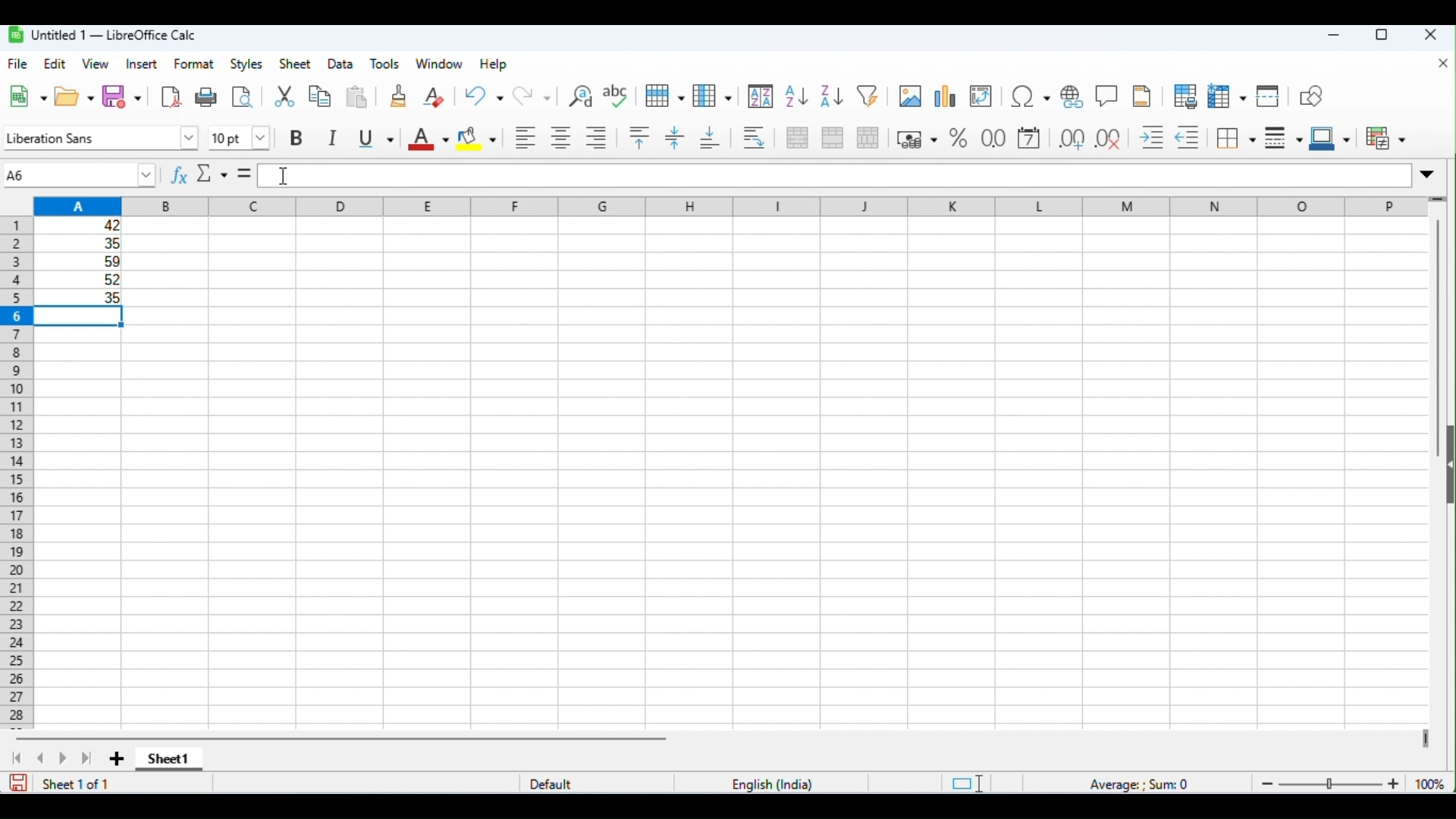 The width and height of the screenshot is (1456, 819). Describe the element at coordinates (532, 96) in the screenshot. I see `redo` at that location.